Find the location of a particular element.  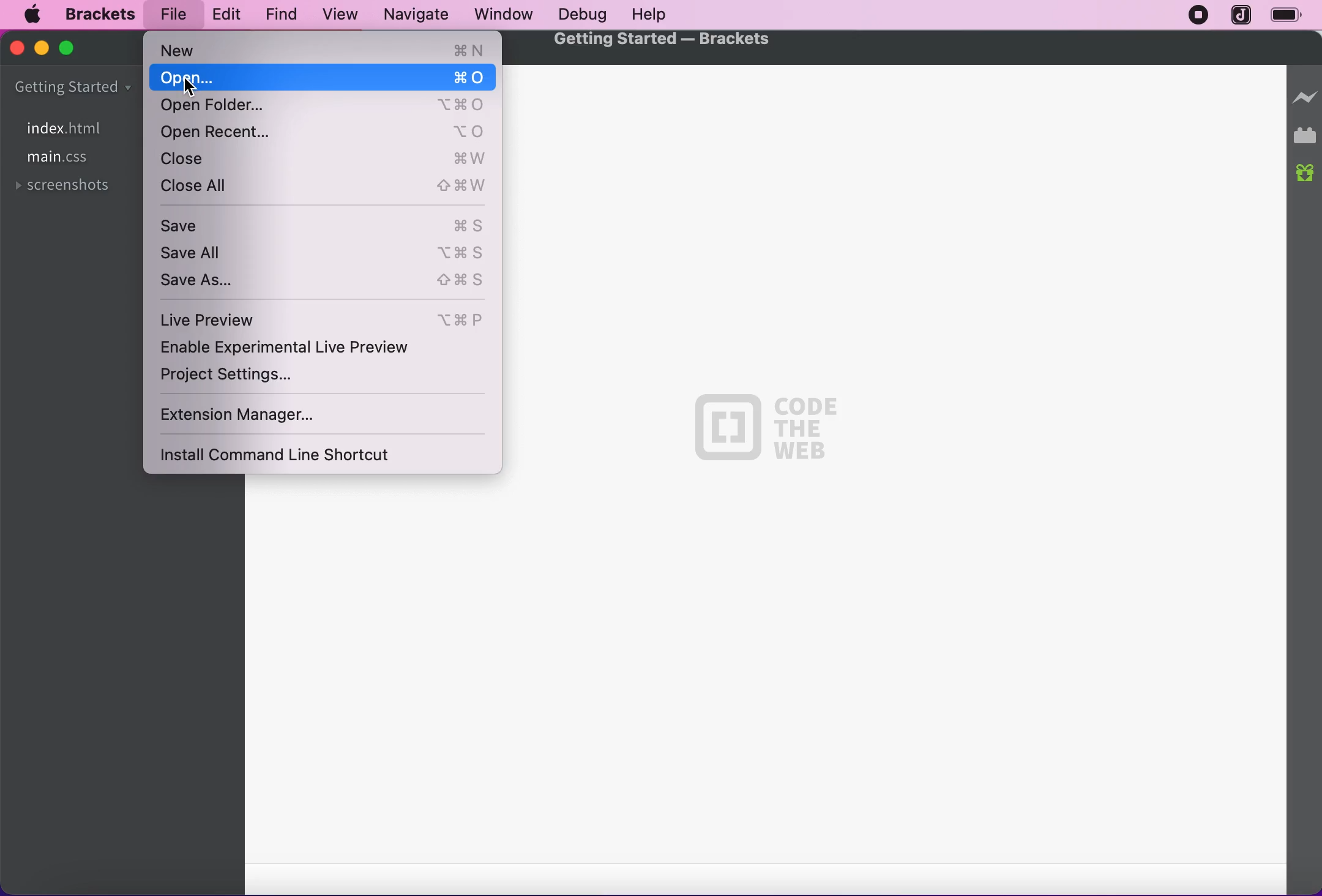

save is located at coordinates (325, 224).